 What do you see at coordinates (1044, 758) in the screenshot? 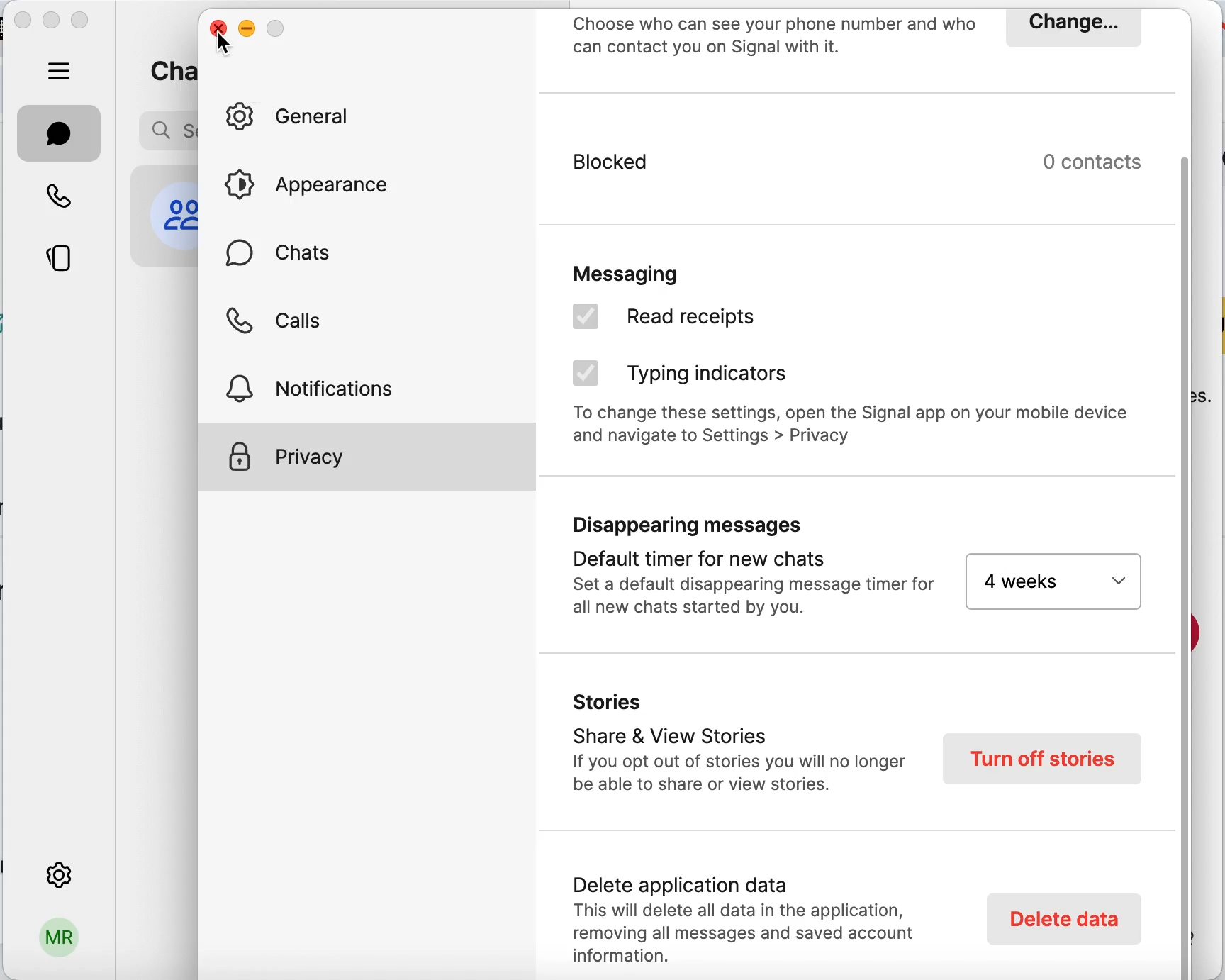
I see `turn off stories` at bounding box center [1044, 758].